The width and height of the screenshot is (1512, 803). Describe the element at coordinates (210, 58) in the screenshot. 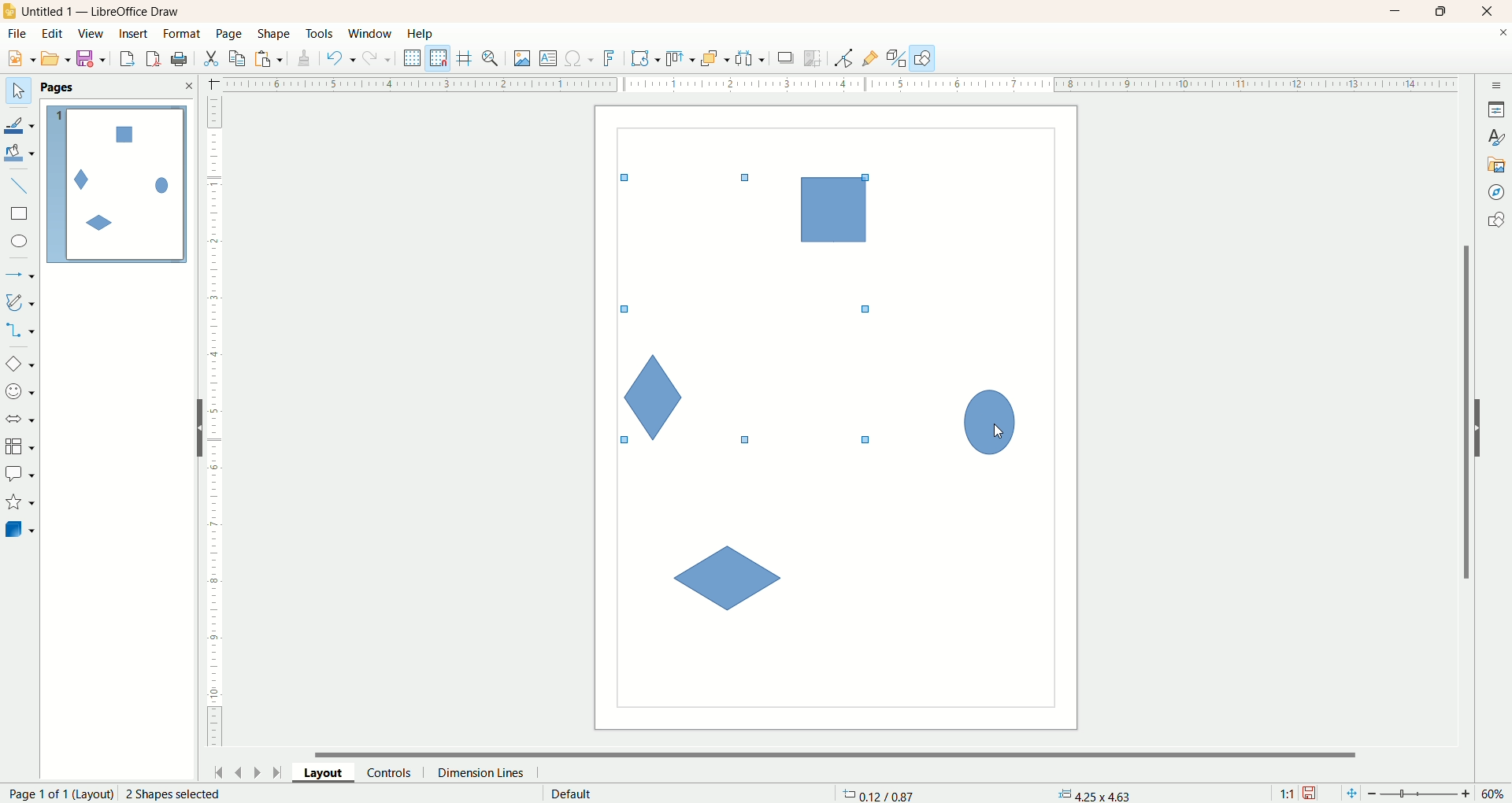

I see `cut` at that location.